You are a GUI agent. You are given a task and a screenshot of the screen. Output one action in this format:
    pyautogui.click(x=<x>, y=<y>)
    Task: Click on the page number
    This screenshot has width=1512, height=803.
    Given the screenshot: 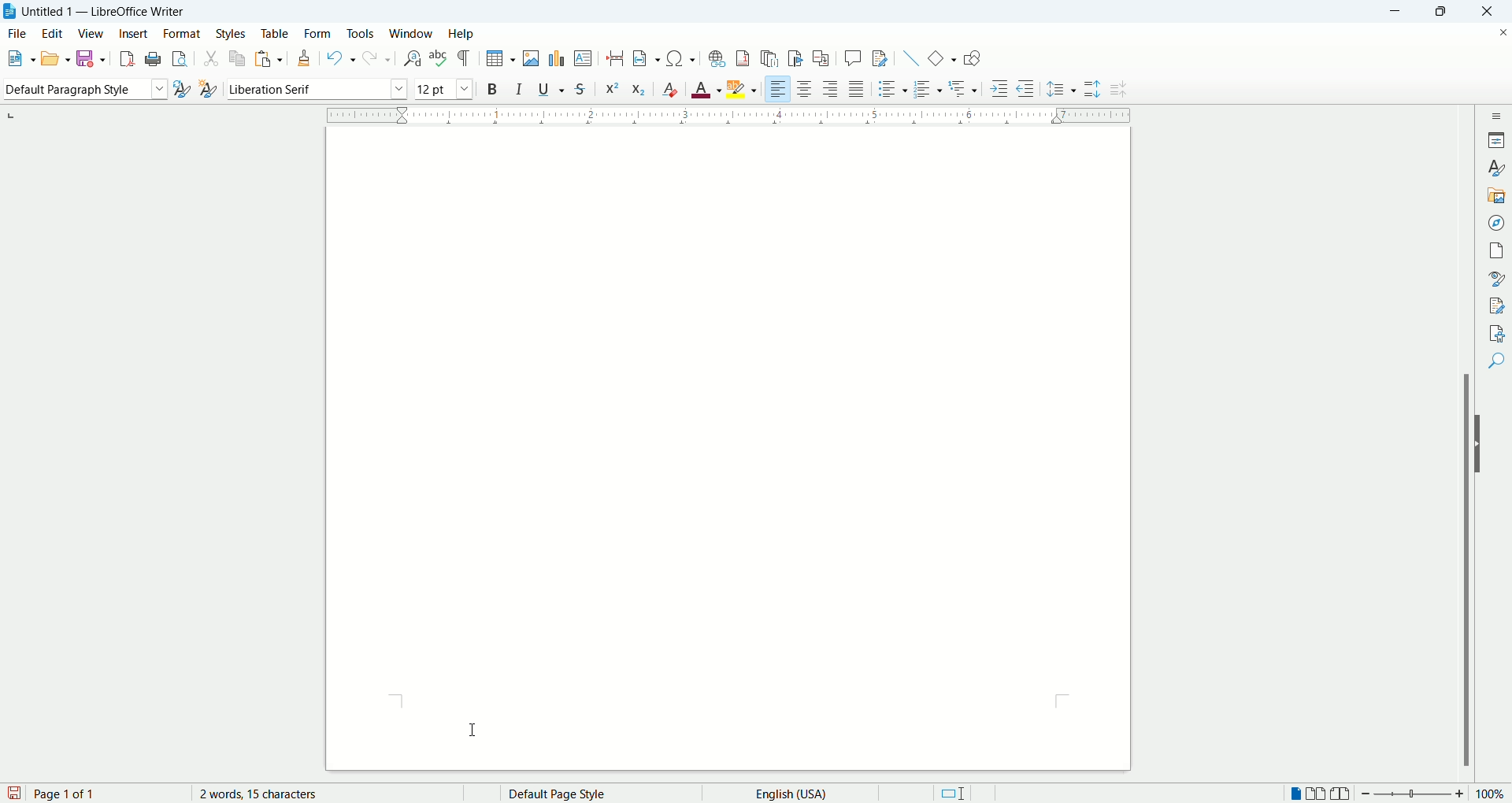 What is the action you would take?
    pyautogui.click(x=106, y=794)
    